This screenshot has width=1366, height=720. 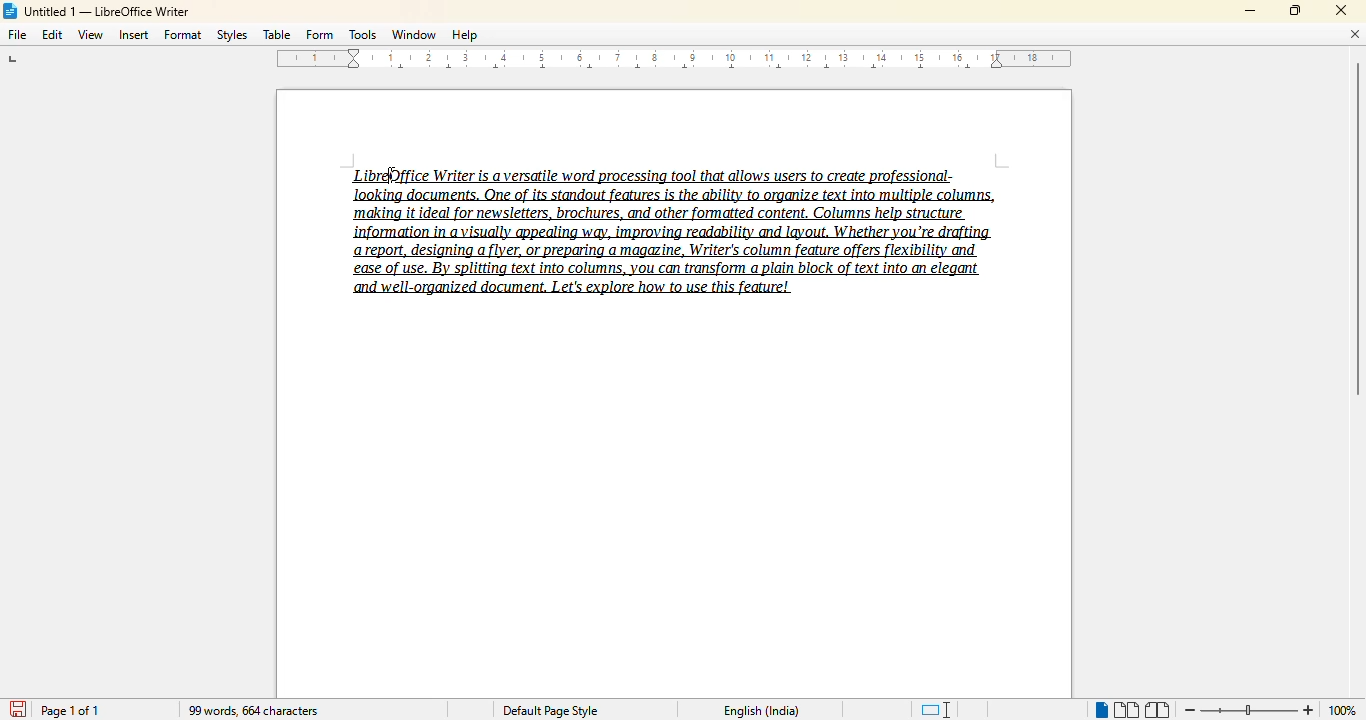 What do you see at coordinates (22, 60) in the screenshot?
I see `tab stop` at bounding box center [22, 60].